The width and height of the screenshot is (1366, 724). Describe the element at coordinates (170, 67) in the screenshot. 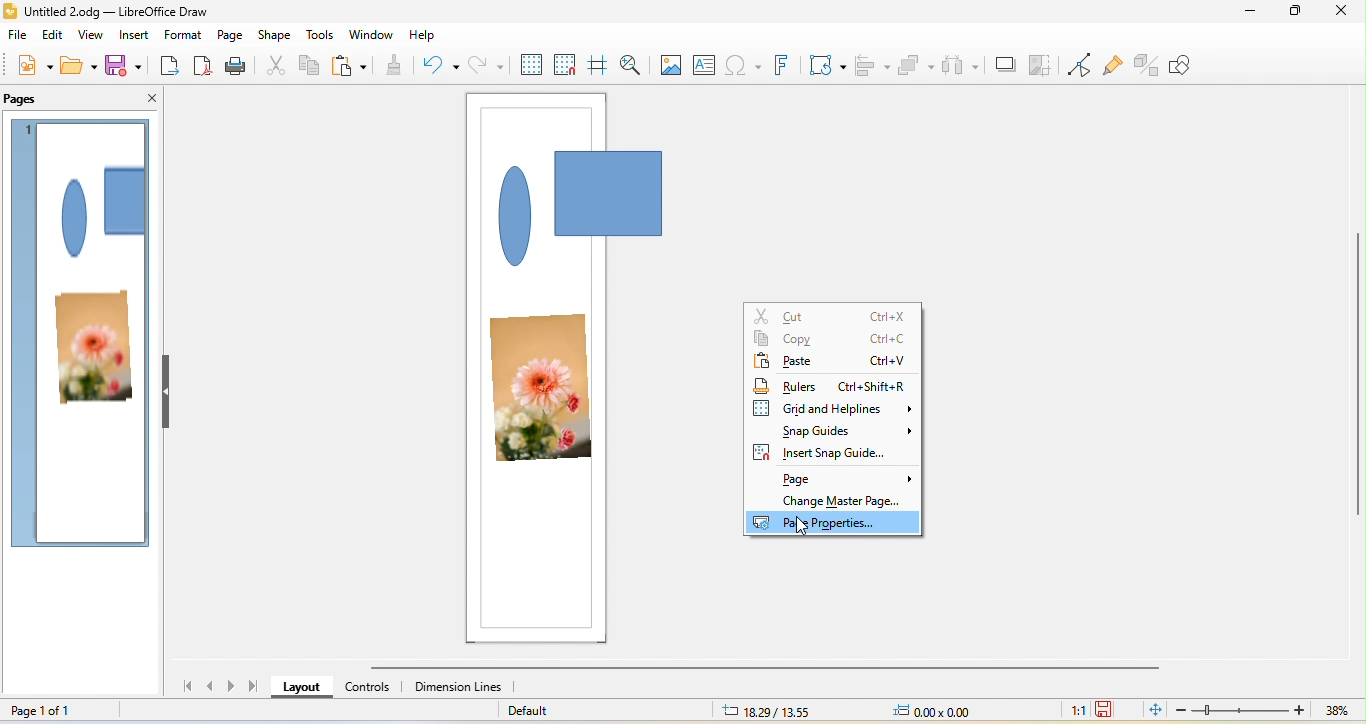

I see `export` at that location.